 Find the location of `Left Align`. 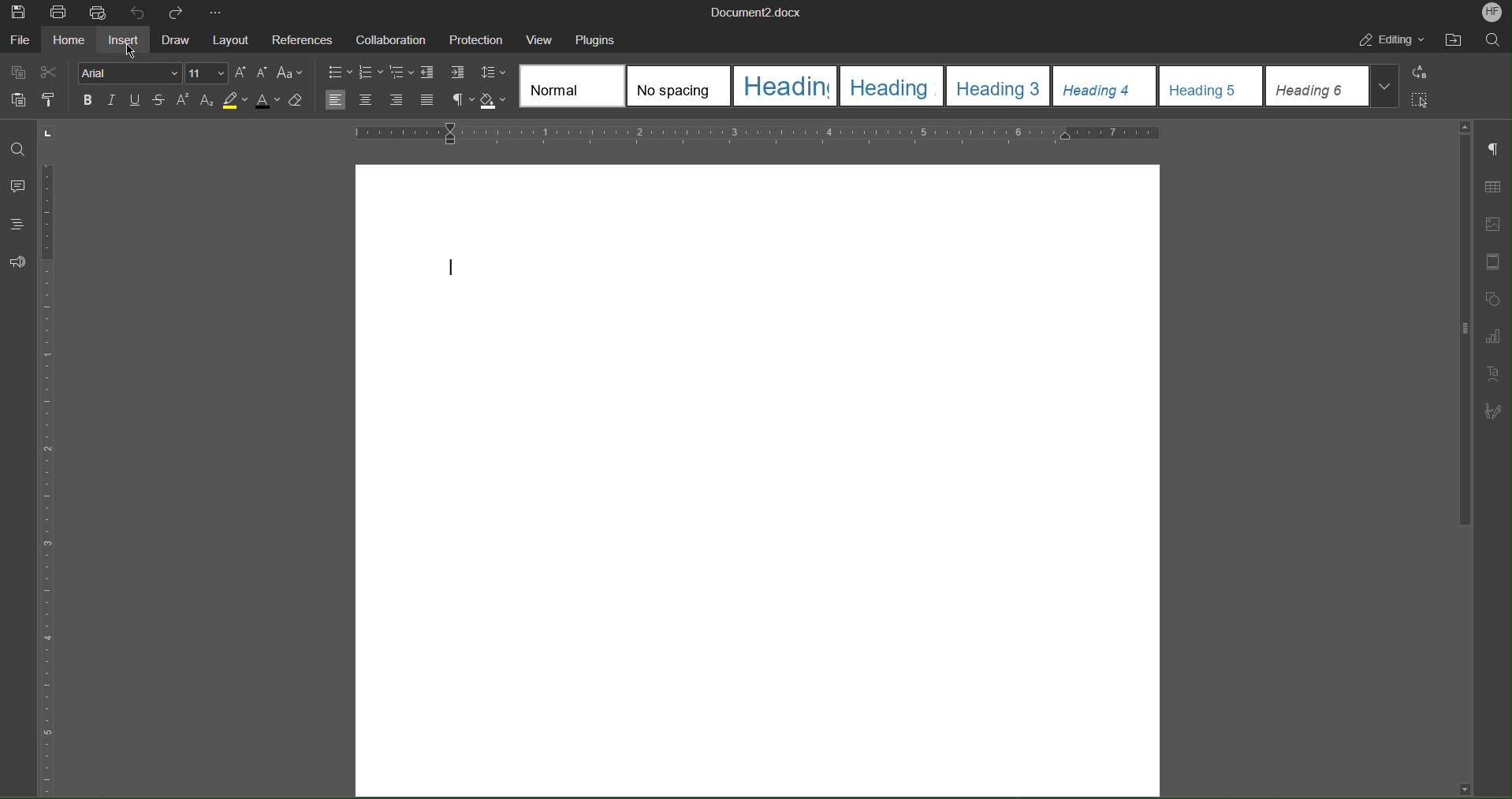

Left Align is located at coordinates (336, 99).